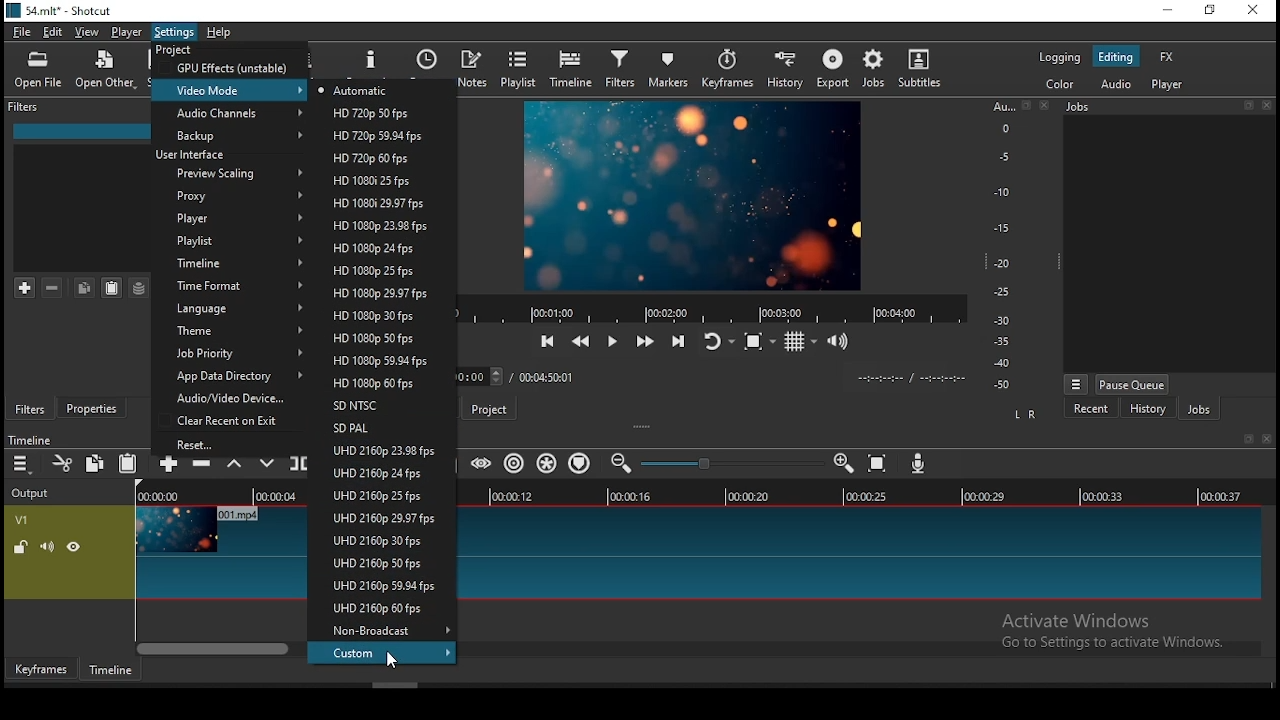 This screenshot has width=1280, height=720. Describe the element at coordinates (62, 9) in the screenshot. I see `icon and file name` at that location.